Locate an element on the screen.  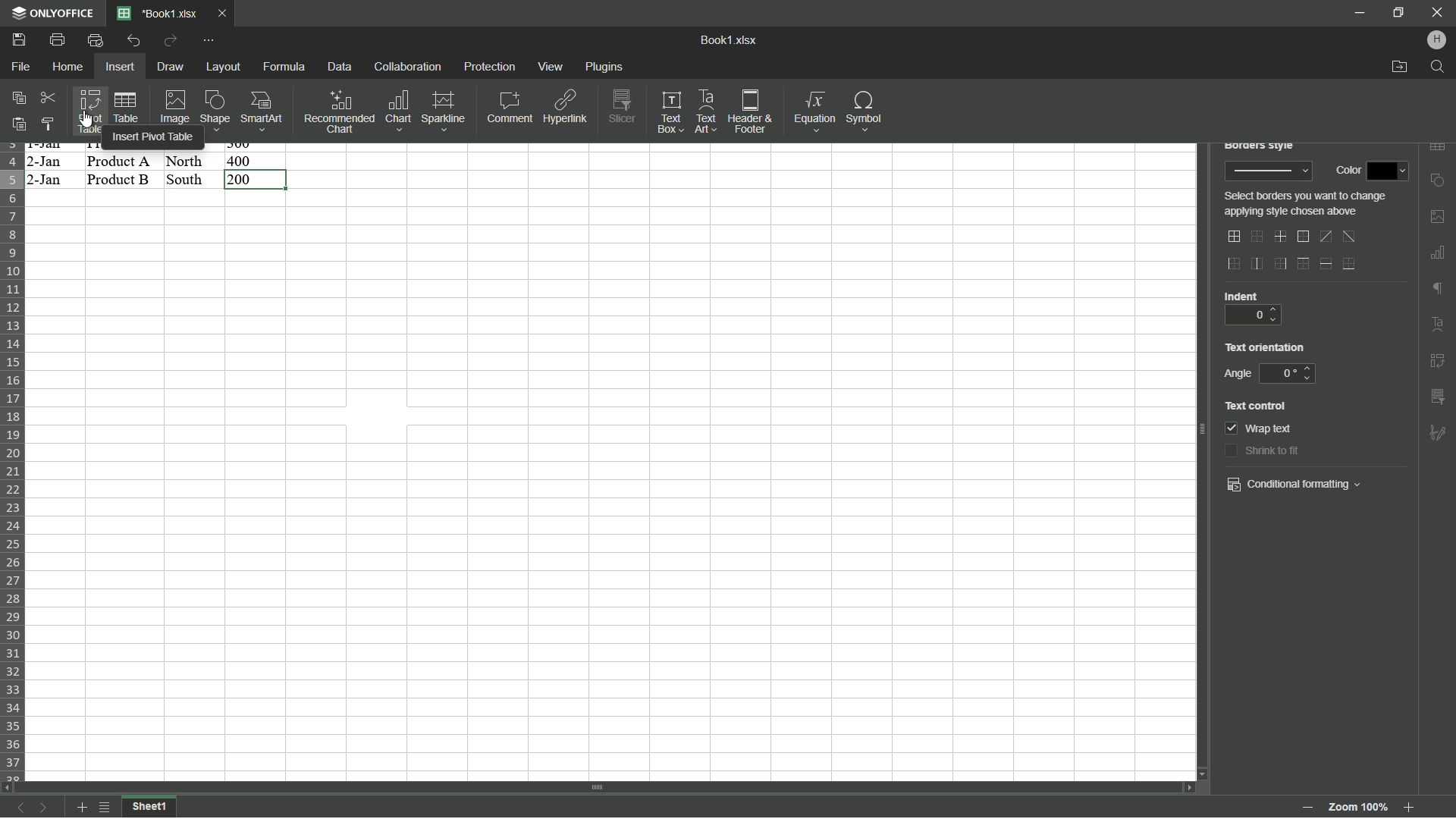
Table is located at coordinates (127, 108).